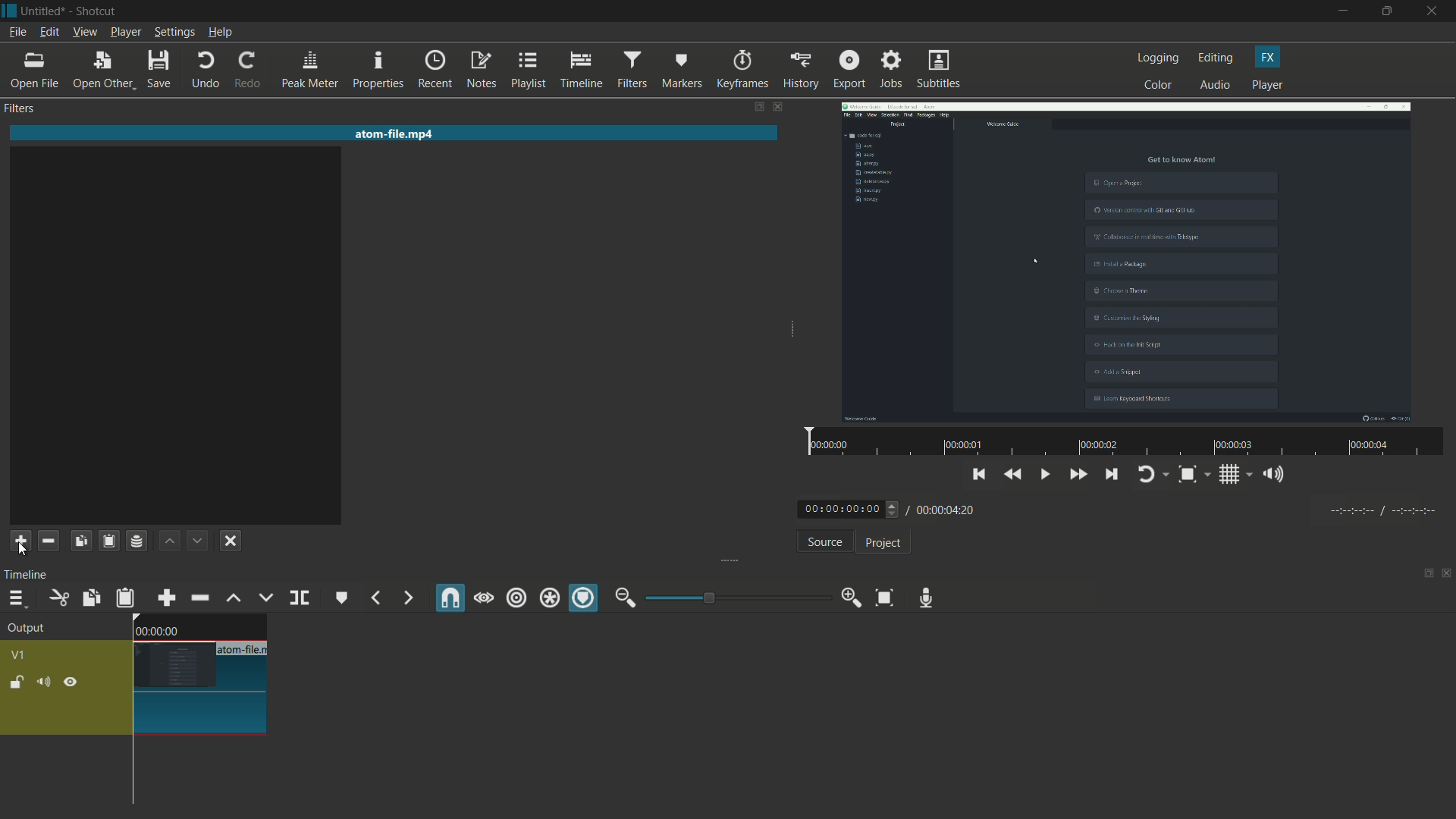 The height and width of the screenshot is (819, 1456). I want to click on editing, so click(1216, 58).